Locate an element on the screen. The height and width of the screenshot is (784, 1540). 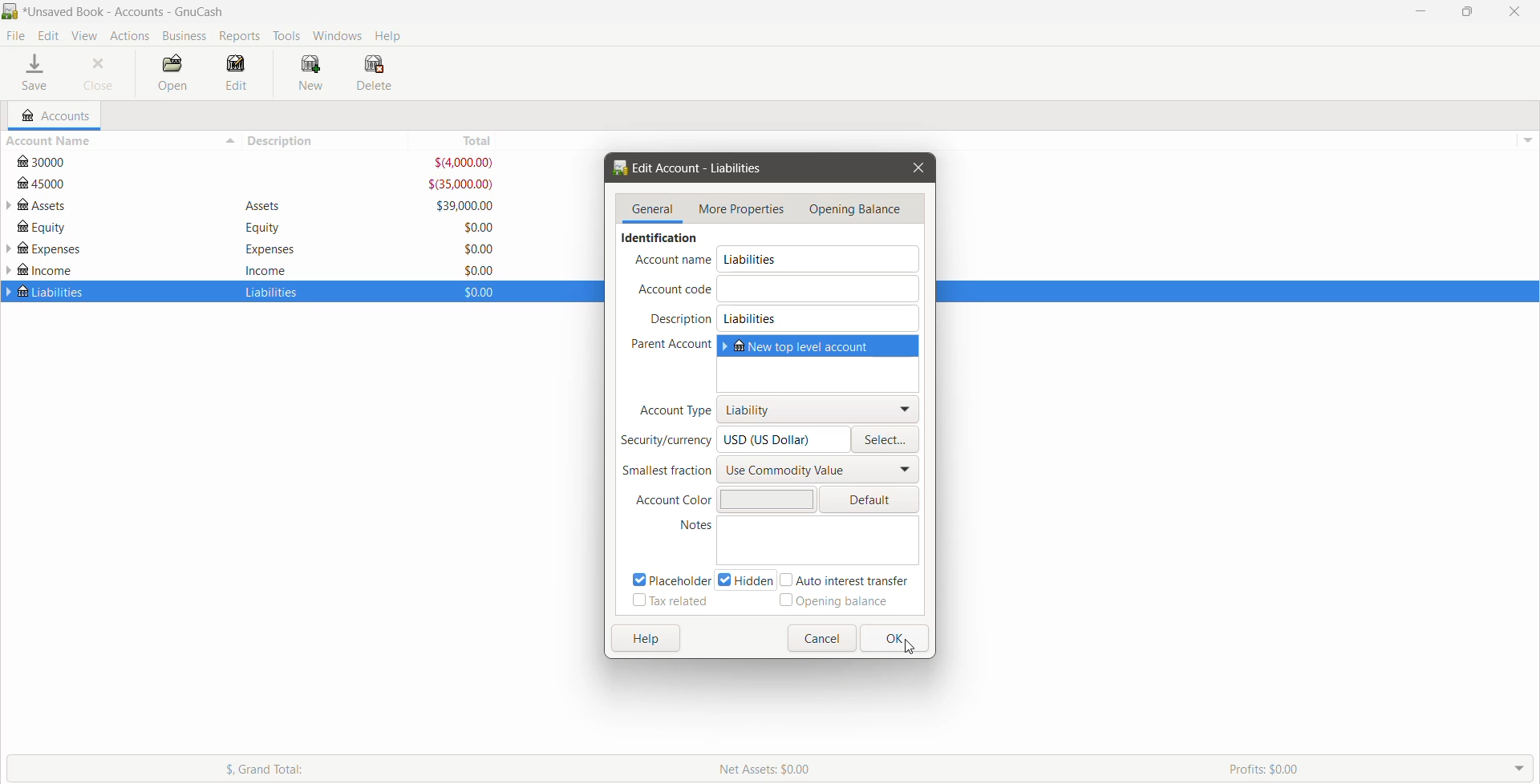
Close is located at coordinates (1512, 11).